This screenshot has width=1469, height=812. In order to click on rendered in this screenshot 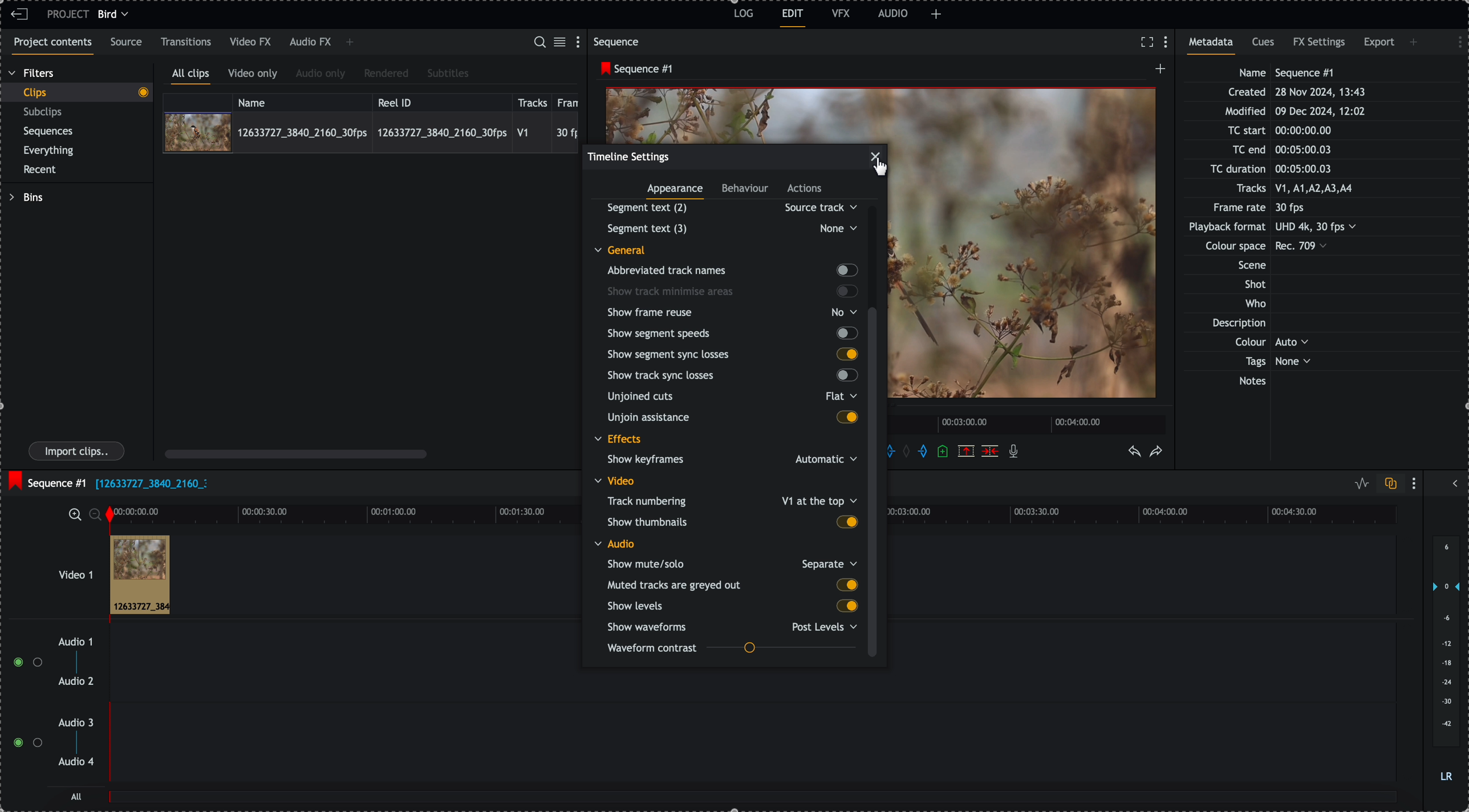, I will do `click(386, 74)`.